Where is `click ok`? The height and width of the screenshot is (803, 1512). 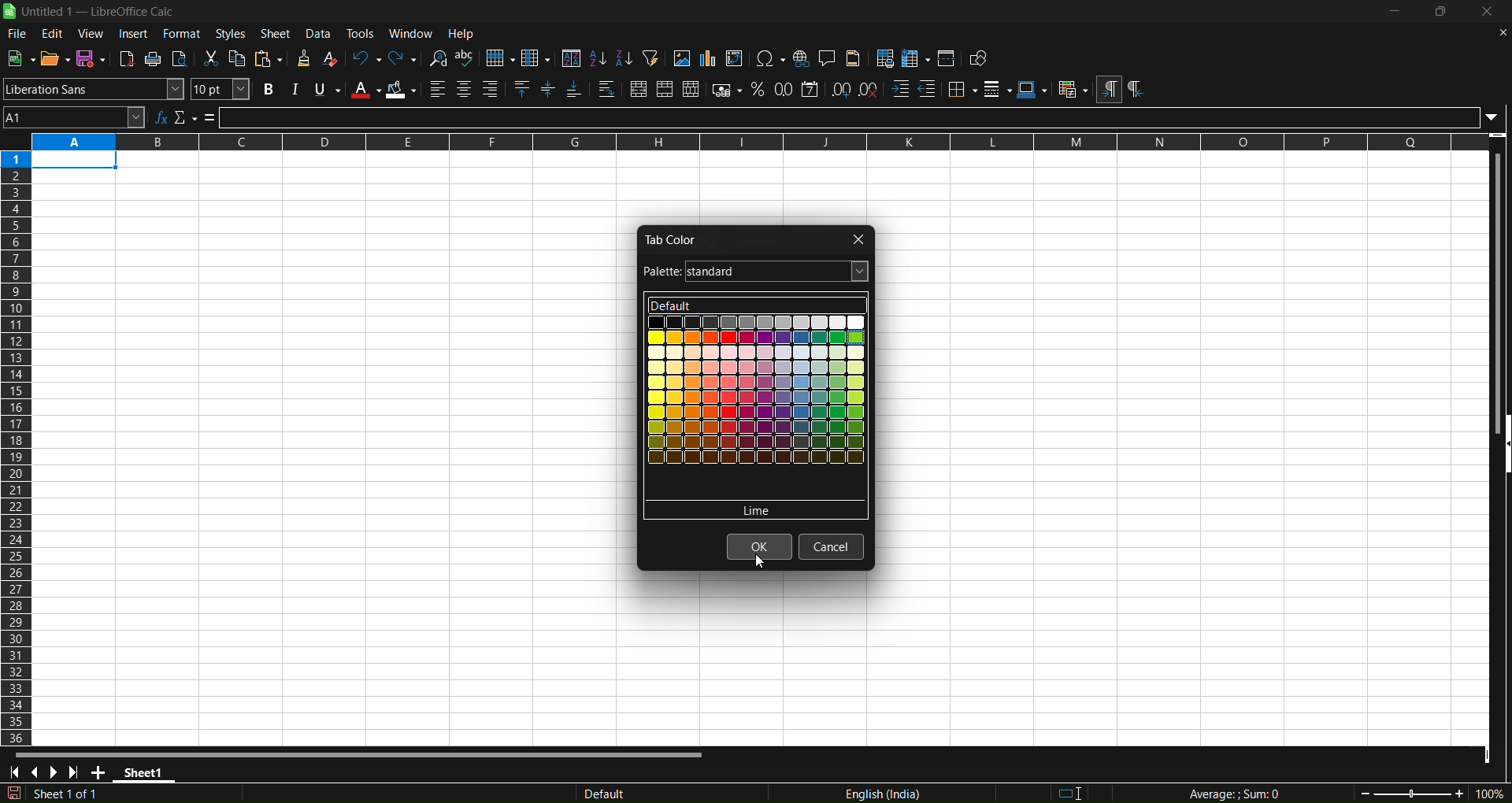 click ok is located at coordinates (759, 549).